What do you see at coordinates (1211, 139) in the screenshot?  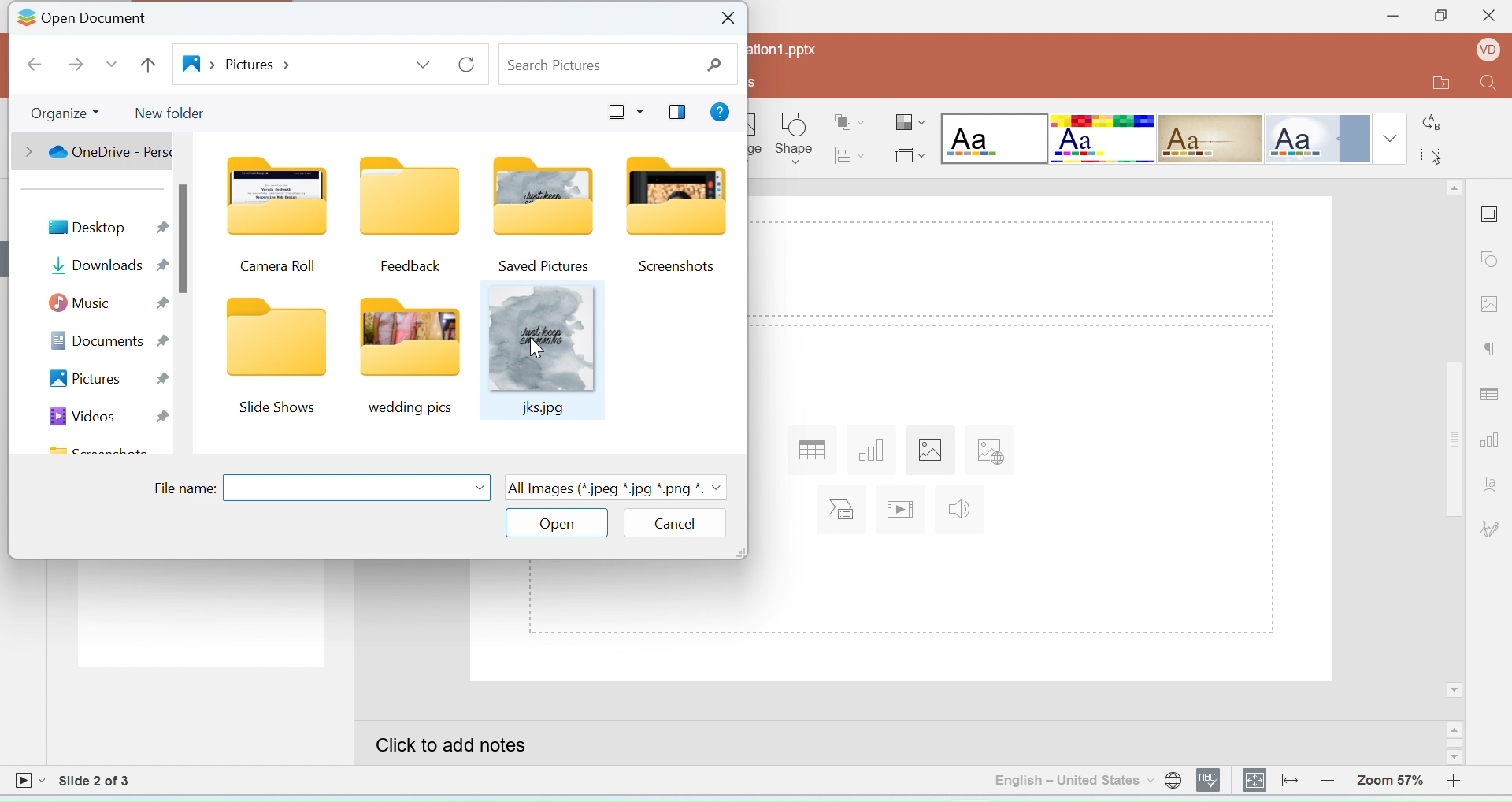 I see `Lines` at bounding box center [1211, 139].